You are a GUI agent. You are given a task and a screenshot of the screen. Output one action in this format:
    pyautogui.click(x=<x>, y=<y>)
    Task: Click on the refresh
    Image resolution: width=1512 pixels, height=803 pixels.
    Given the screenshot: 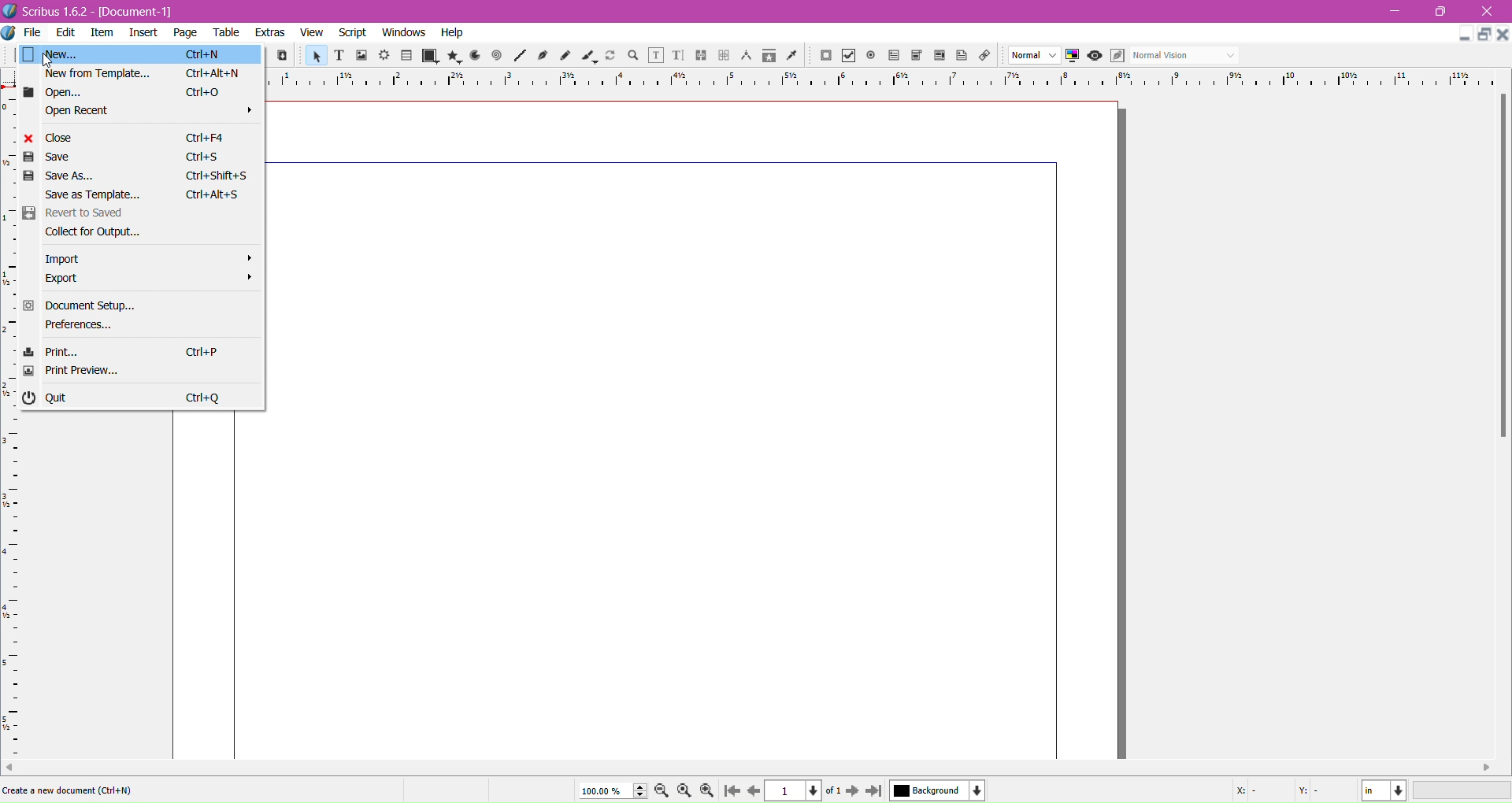 What is the action you would take?
    pyautogui.click(x=610, y=57)
    